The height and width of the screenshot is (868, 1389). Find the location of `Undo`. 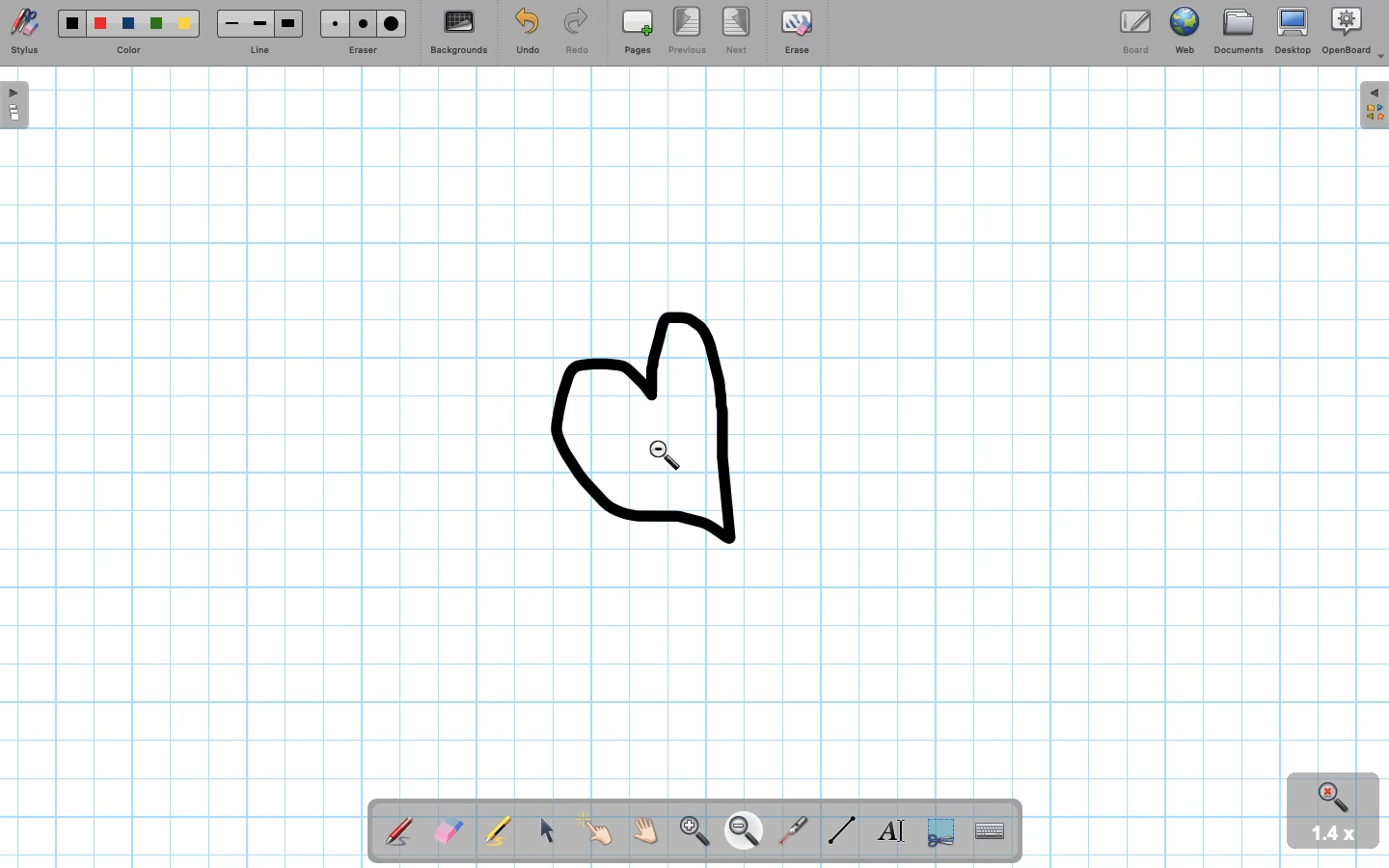

Undo is located at coordinates (528, 33).